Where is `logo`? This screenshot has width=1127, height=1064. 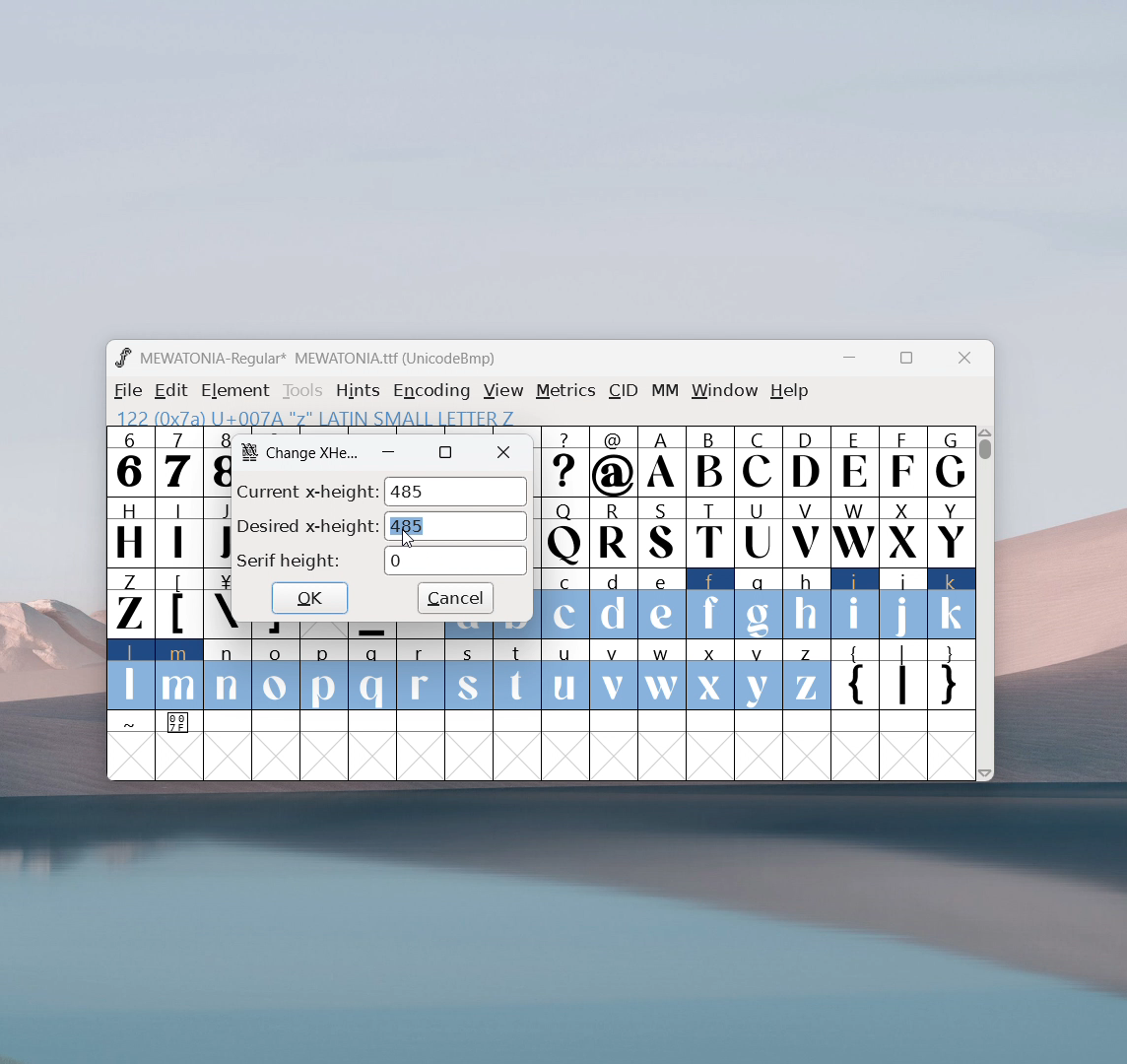
logo is located at coordinates (122, 358).